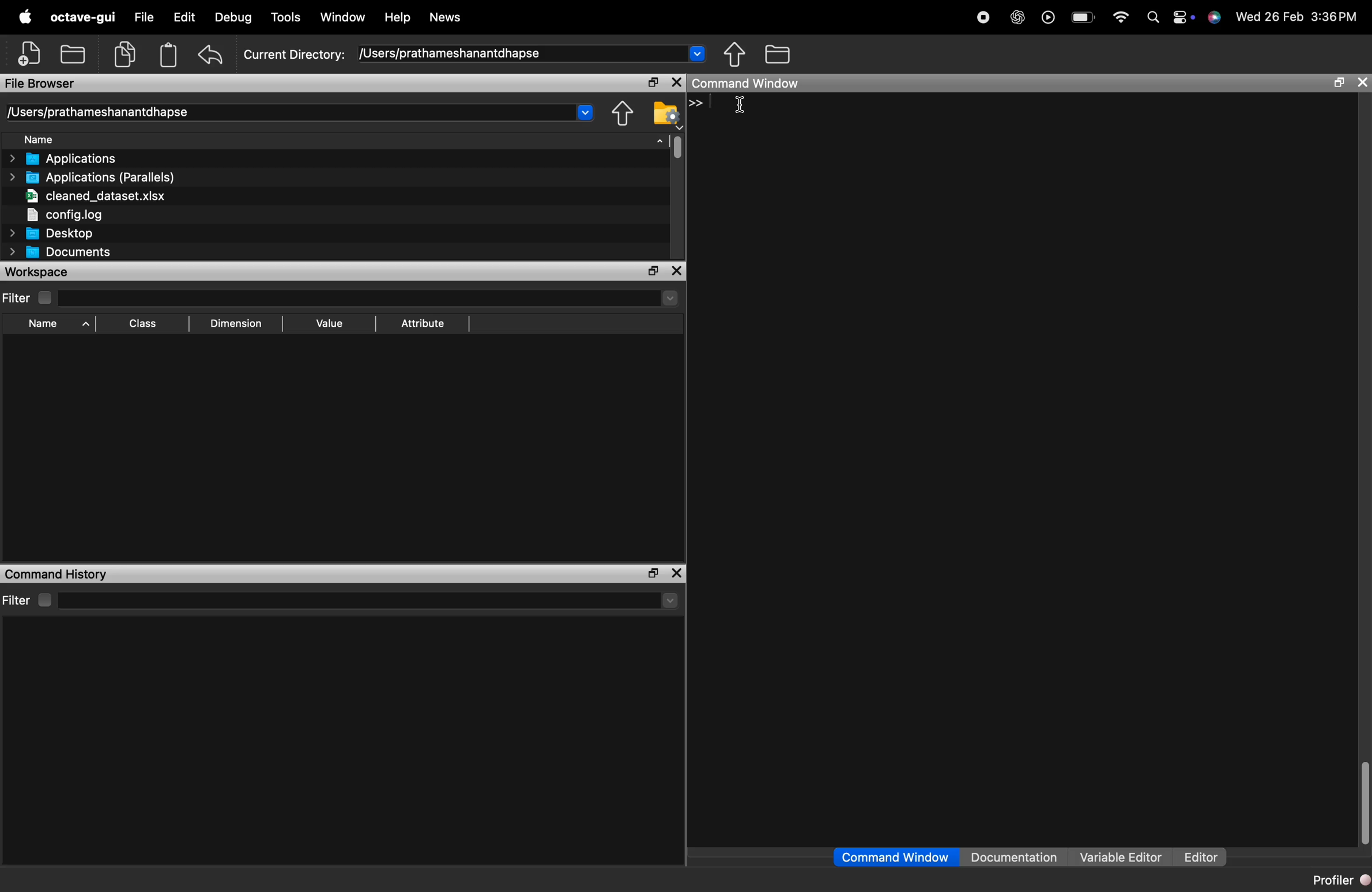 This screenshot has width=1372, height=892. I want to click on maximize, so click(653, 83).